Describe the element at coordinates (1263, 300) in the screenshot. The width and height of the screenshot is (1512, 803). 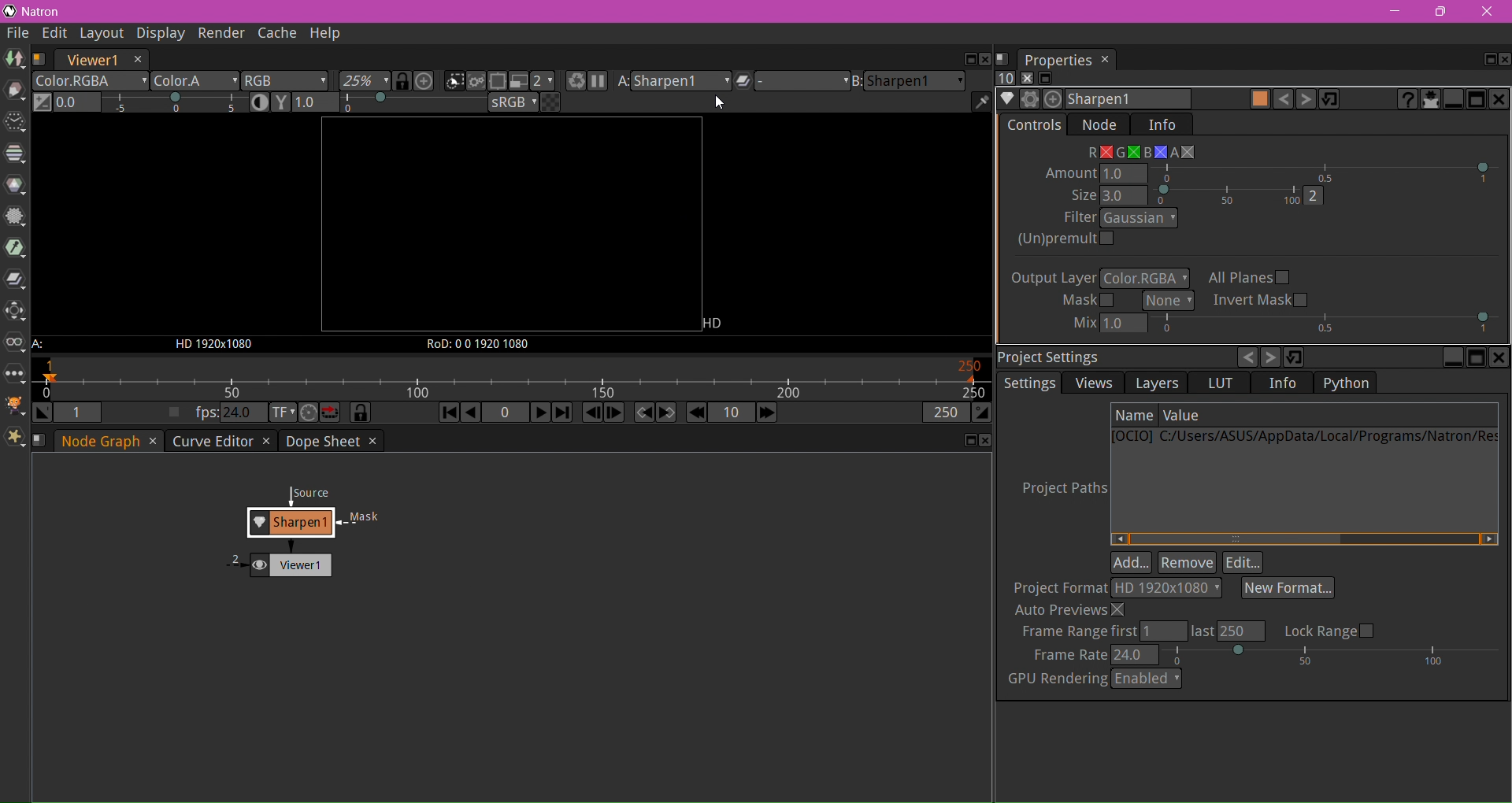
I see `maskInvert` at that location.